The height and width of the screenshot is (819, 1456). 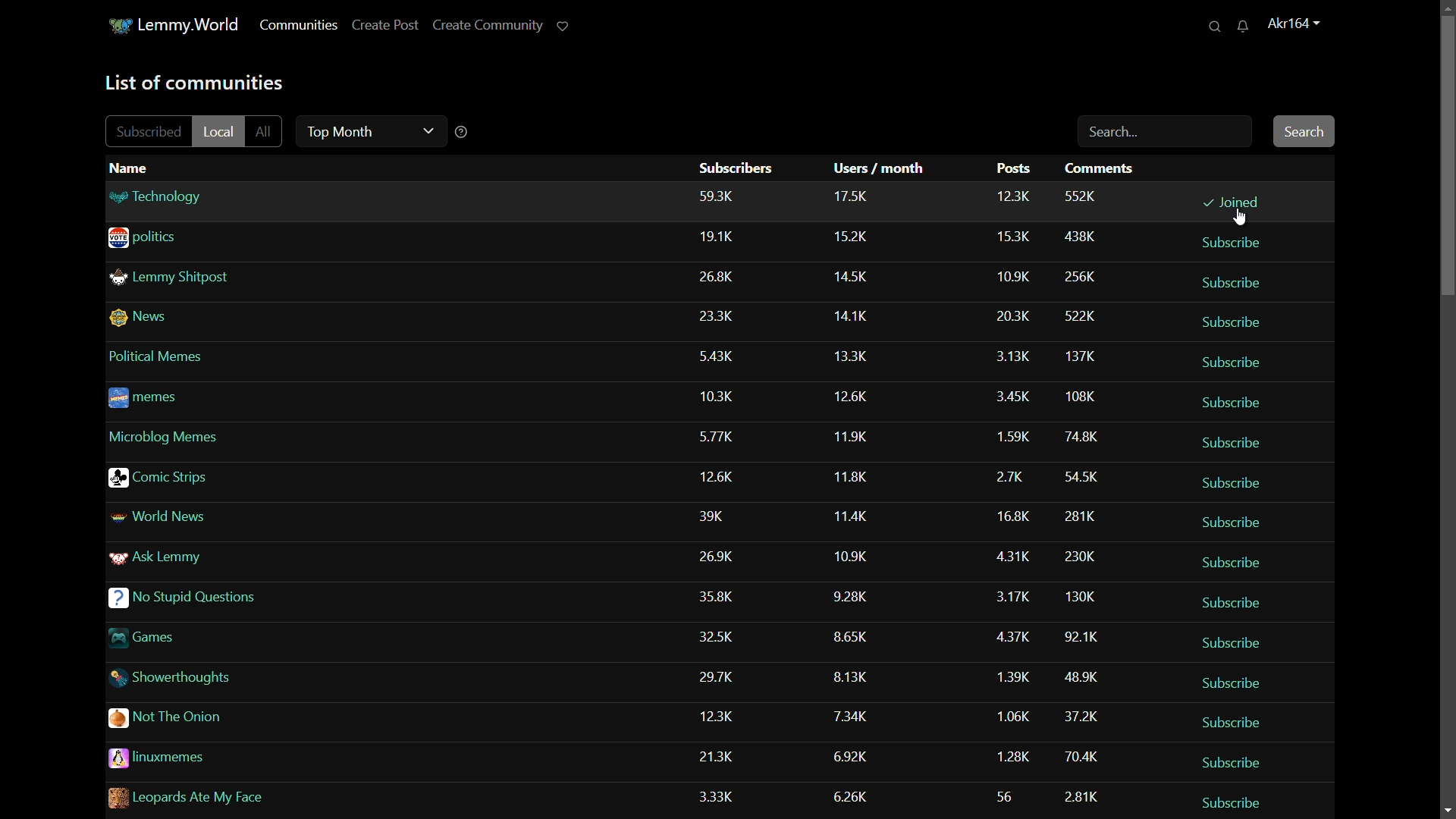 What do you see at coordinates (1012, 635) in the screenshot?
I see `posts` at bounding box center [1012, 635].